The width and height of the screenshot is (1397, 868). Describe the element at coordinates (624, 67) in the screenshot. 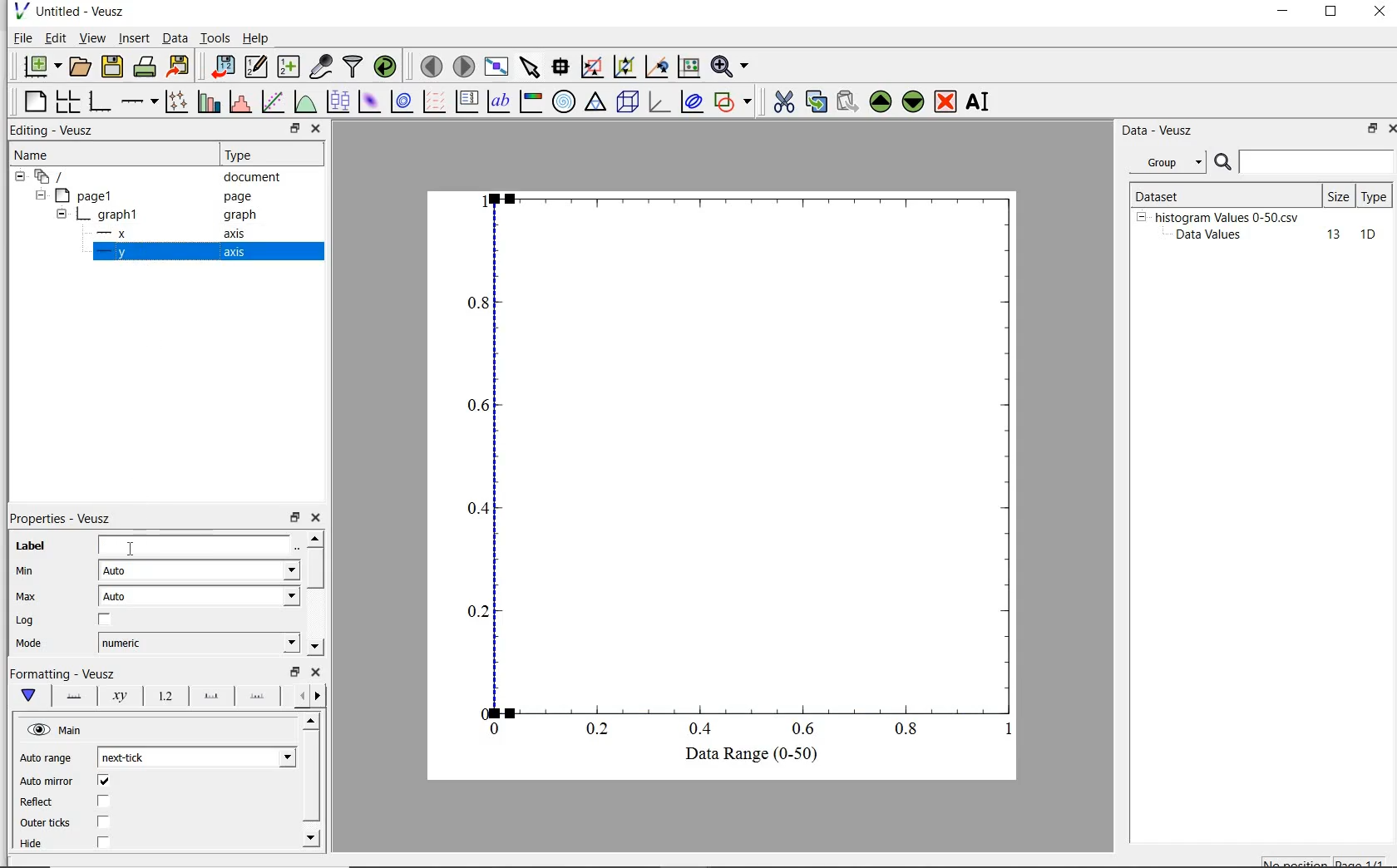

I see `click or draw a rectangle to zoom on graph axes` at that location.